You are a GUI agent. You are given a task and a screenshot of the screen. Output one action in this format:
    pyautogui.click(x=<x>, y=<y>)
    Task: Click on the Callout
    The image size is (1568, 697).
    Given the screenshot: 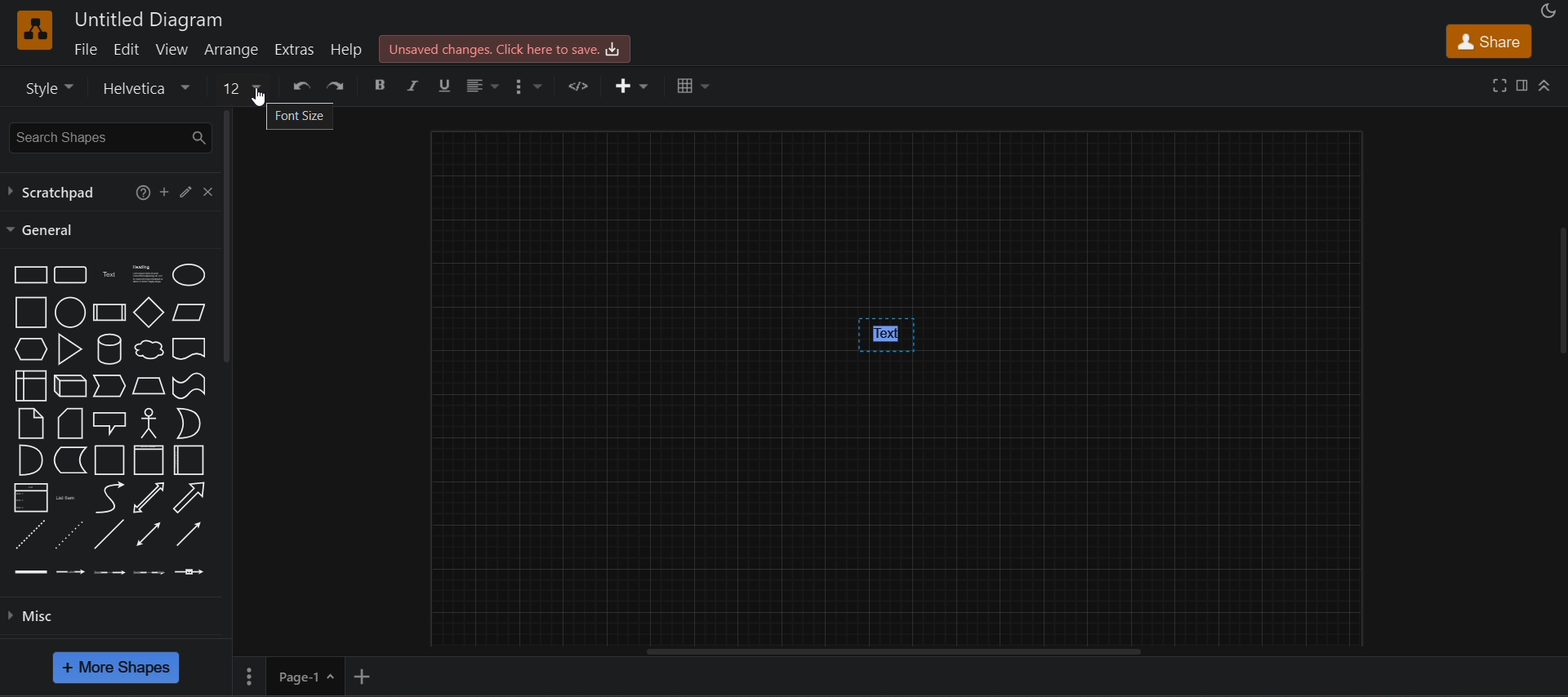 What is the action you would take?
    pyautogui.click(x=109, y=424)
    